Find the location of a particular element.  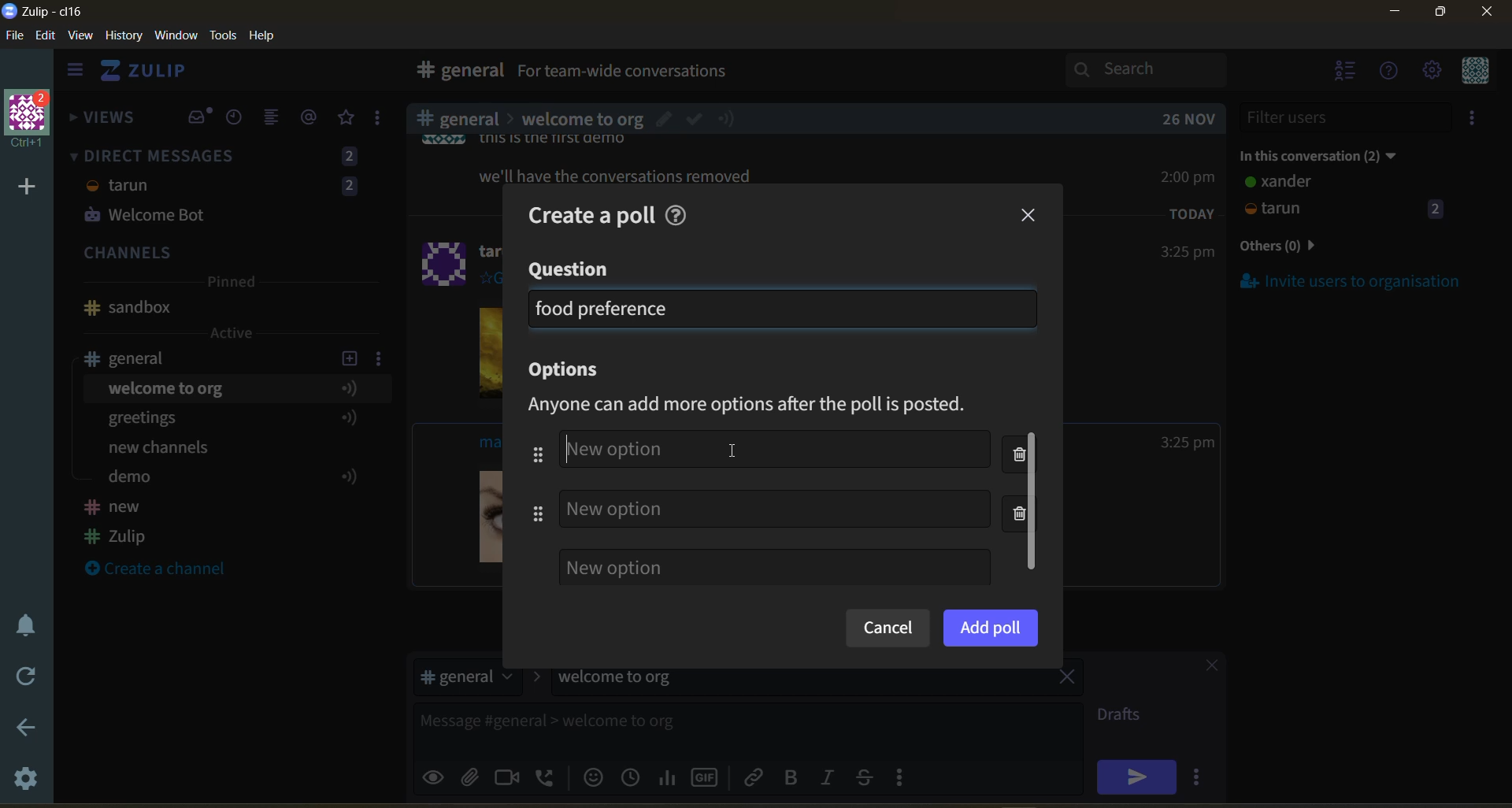

file is located at coordinates (16, 39).